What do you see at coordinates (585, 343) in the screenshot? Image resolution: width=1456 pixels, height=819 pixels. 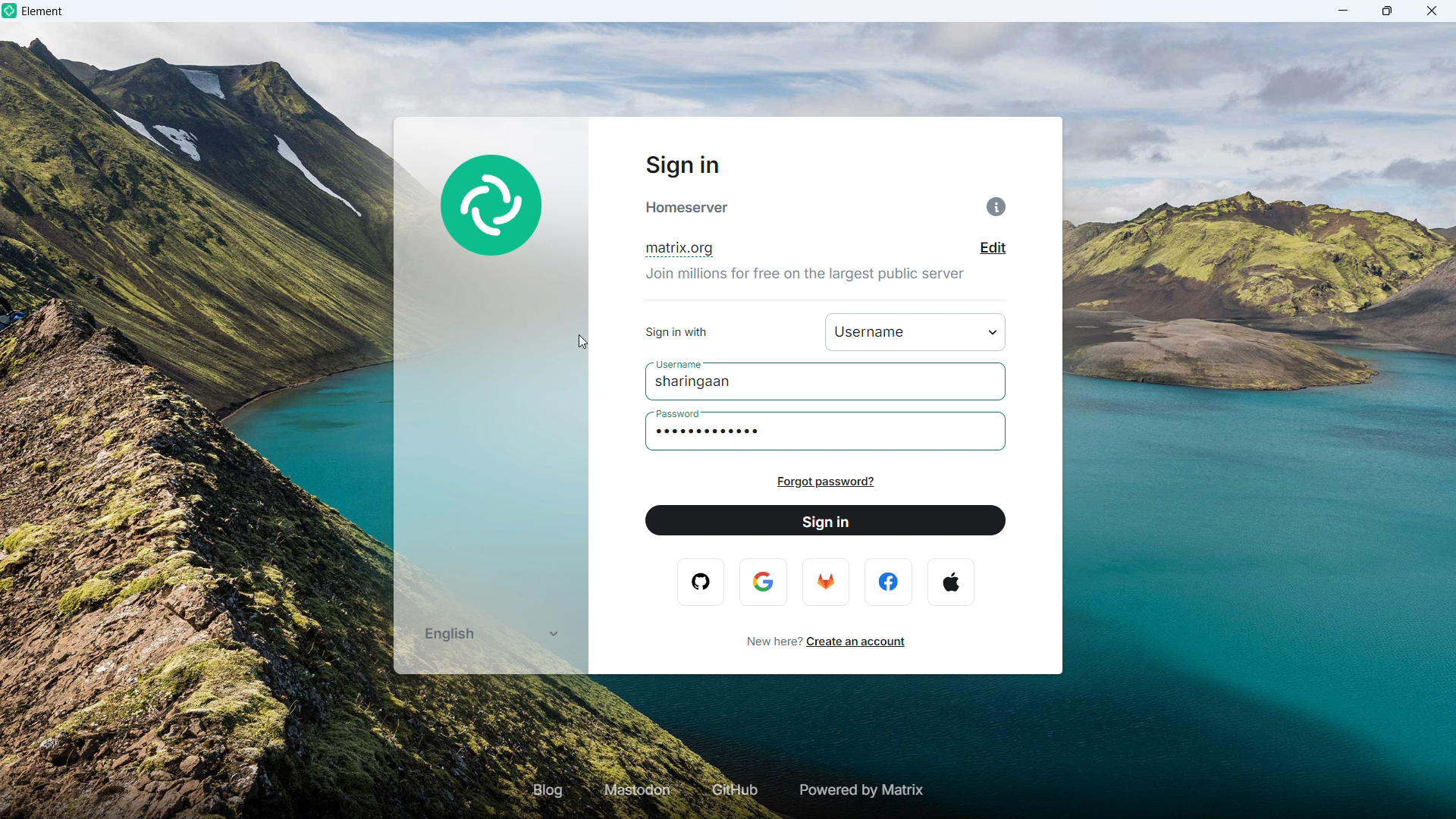 I see `cursor movement` at bounding box center [585, 343].